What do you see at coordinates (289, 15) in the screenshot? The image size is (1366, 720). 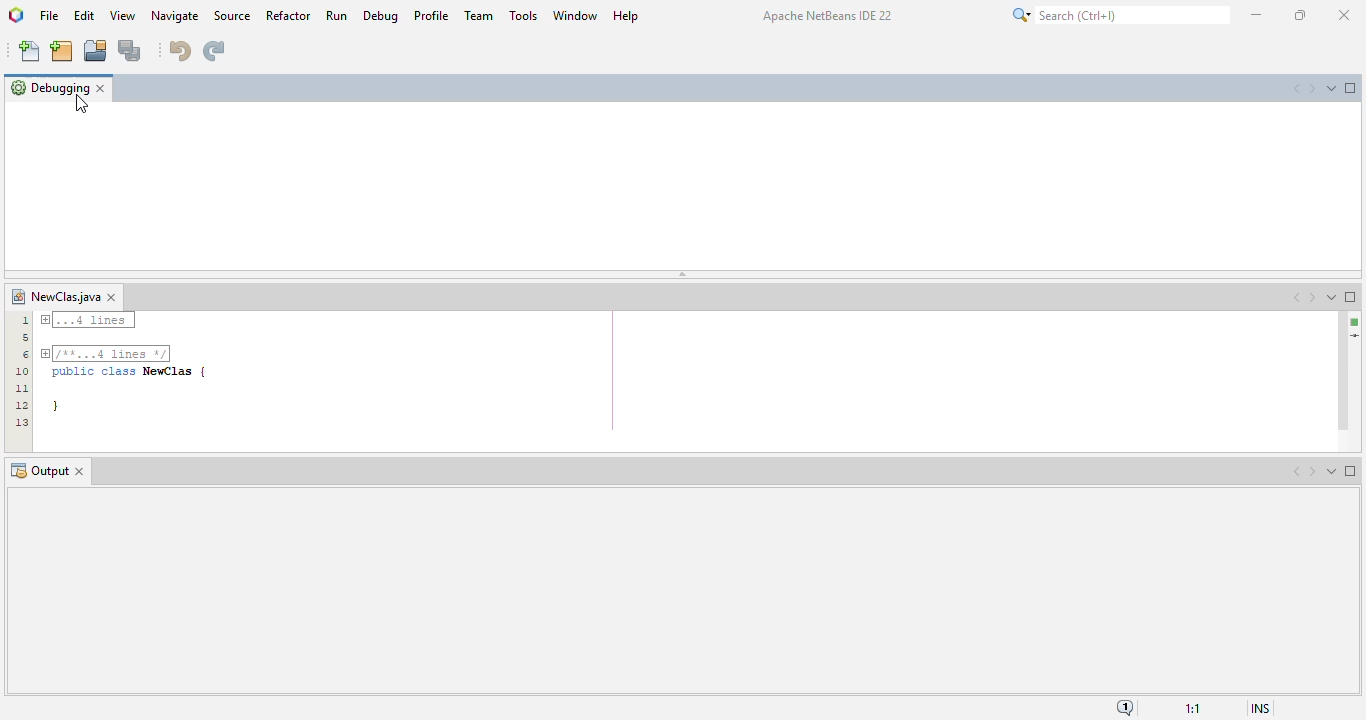 I see `refactor` at bounding box center [289, 15].